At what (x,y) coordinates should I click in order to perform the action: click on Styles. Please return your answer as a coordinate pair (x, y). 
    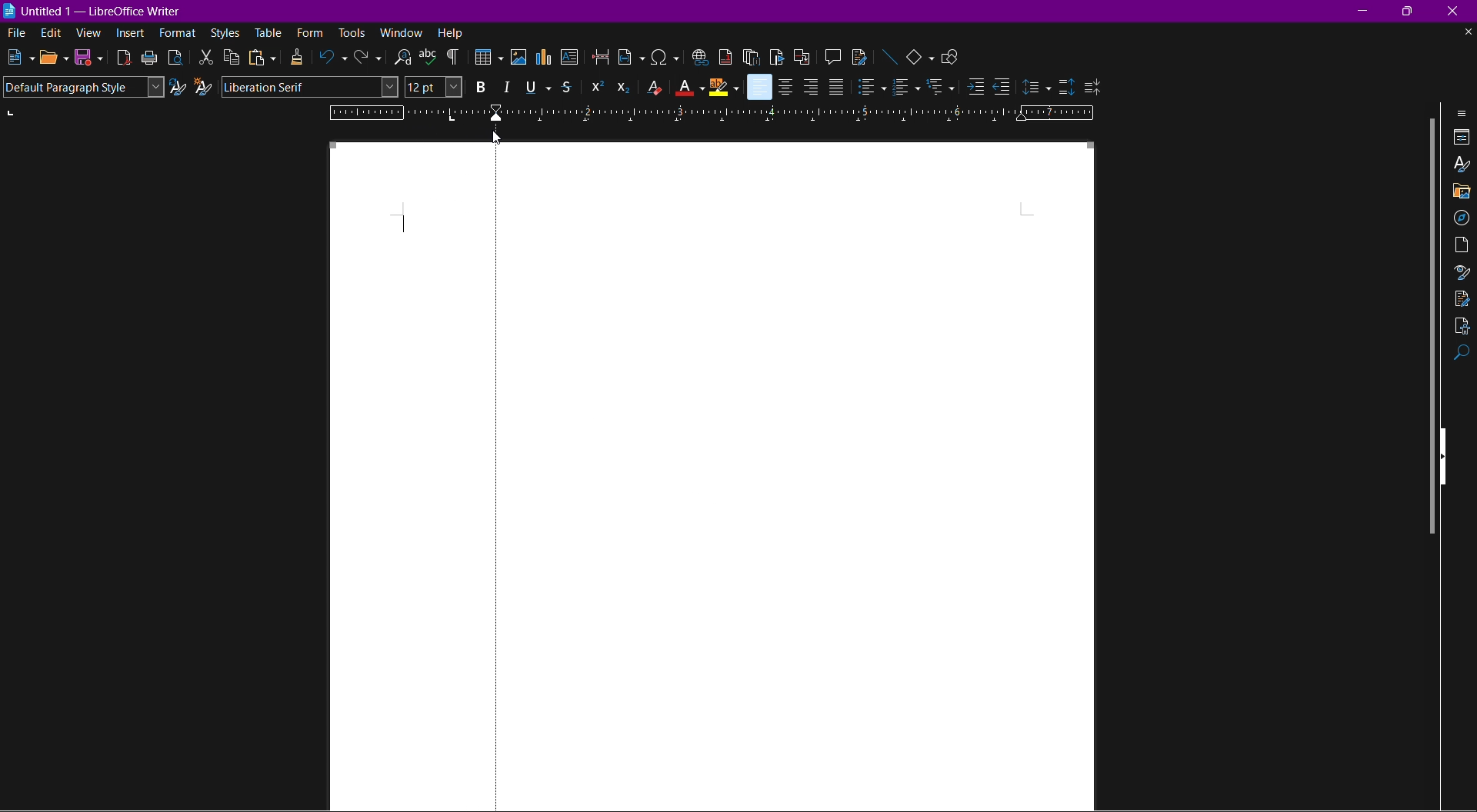
    Looking at the image, I should click on (1462, 166).